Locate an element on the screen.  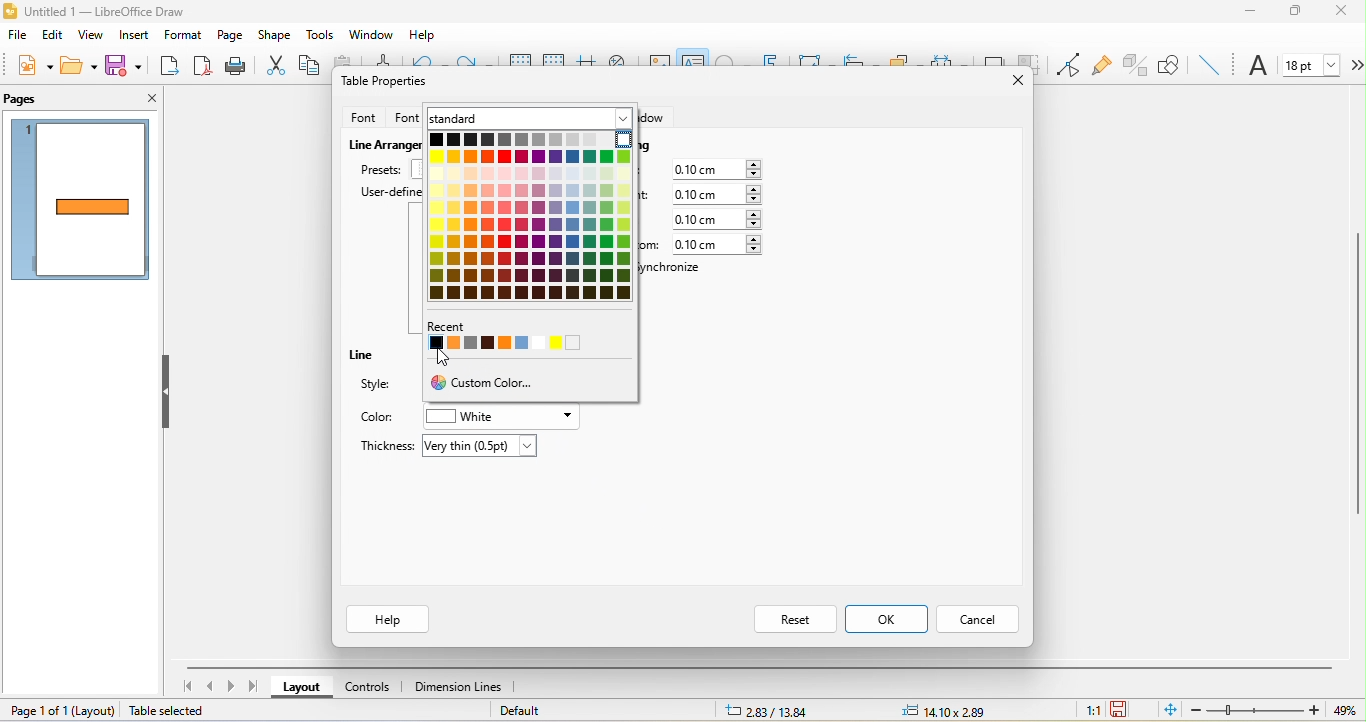
line is located at coordinates (368, 357).